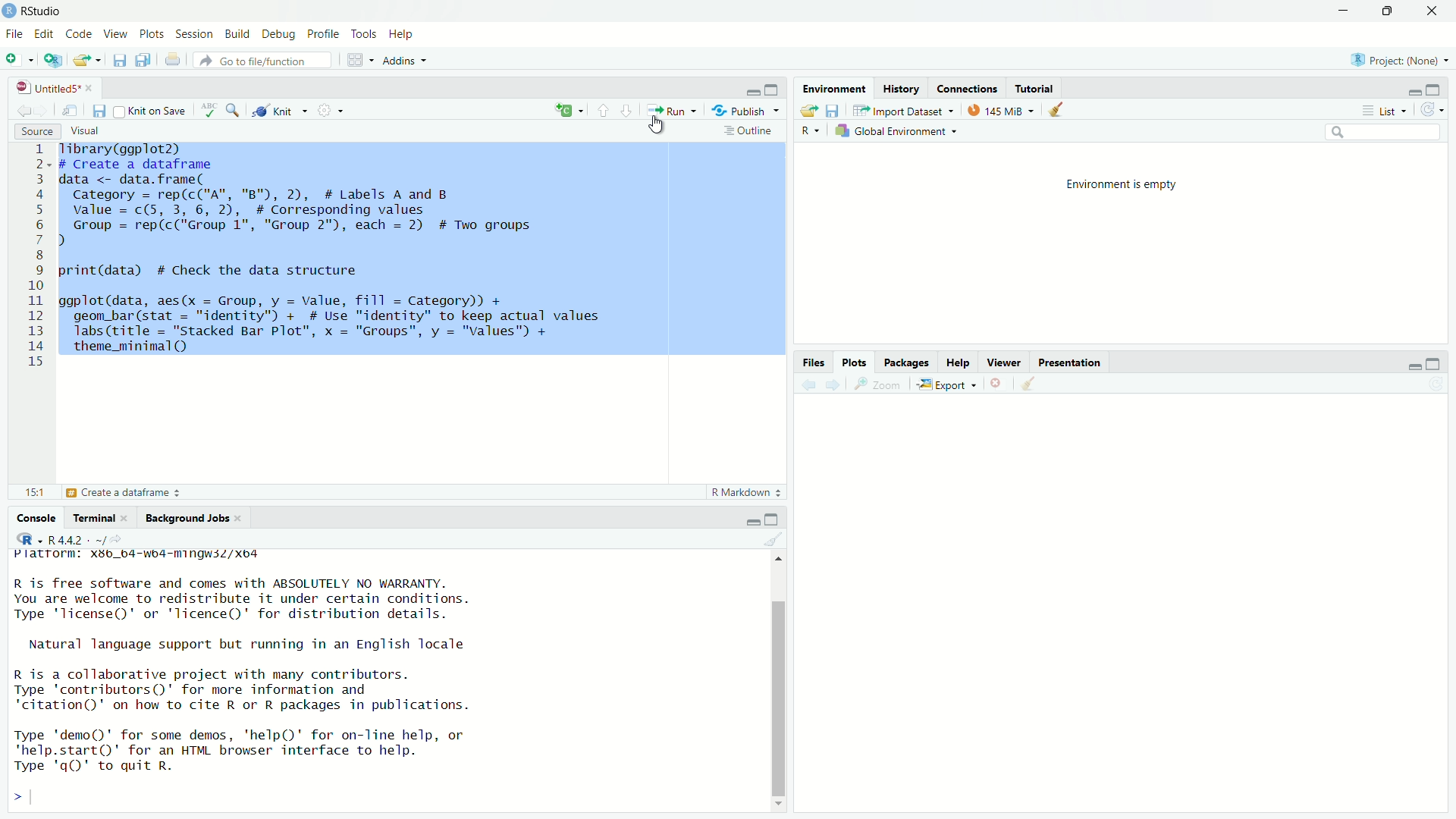  What do you see at coordinates (53, 60) in the screenshot?
I see `Create a project` at bounding box center [53, 60].